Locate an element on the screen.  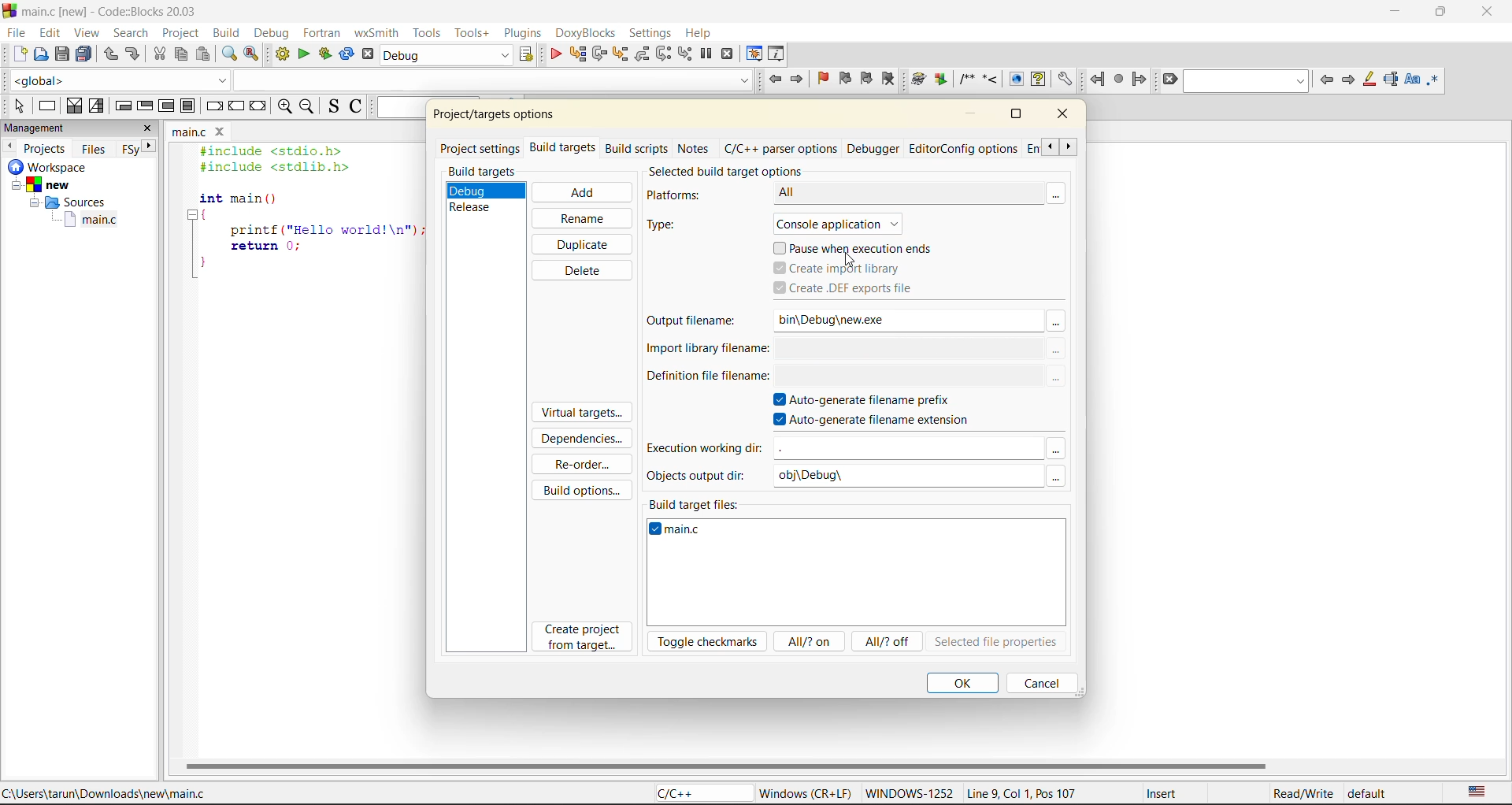
C/C++ is located at coordinates (695, 793).